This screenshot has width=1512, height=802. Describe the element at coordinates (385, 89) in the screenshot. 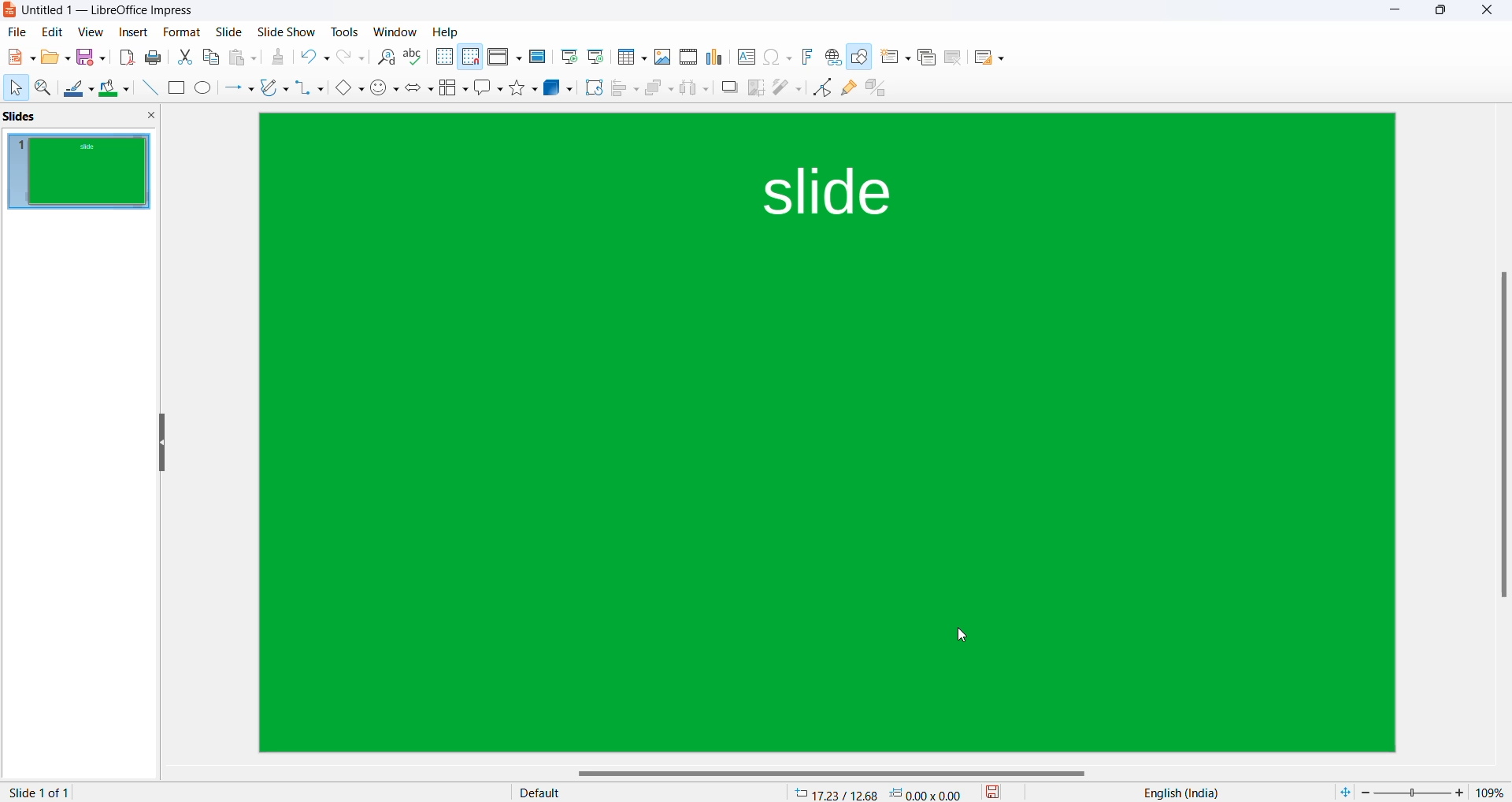

I see `symbol shapes` at that location.